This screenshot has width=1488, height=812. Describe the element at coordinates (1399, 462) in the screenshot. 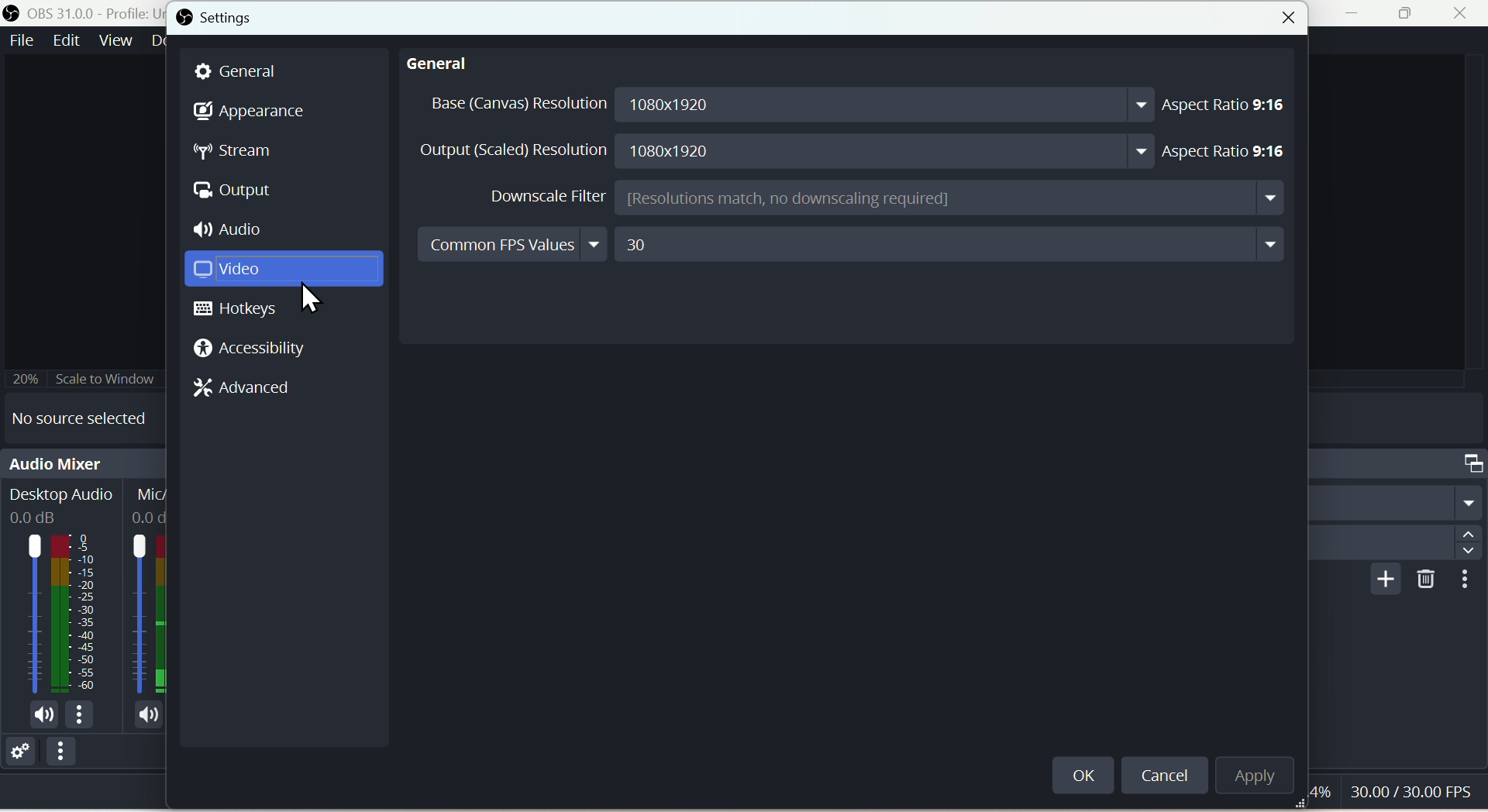

I see `Scene transition` at that location.